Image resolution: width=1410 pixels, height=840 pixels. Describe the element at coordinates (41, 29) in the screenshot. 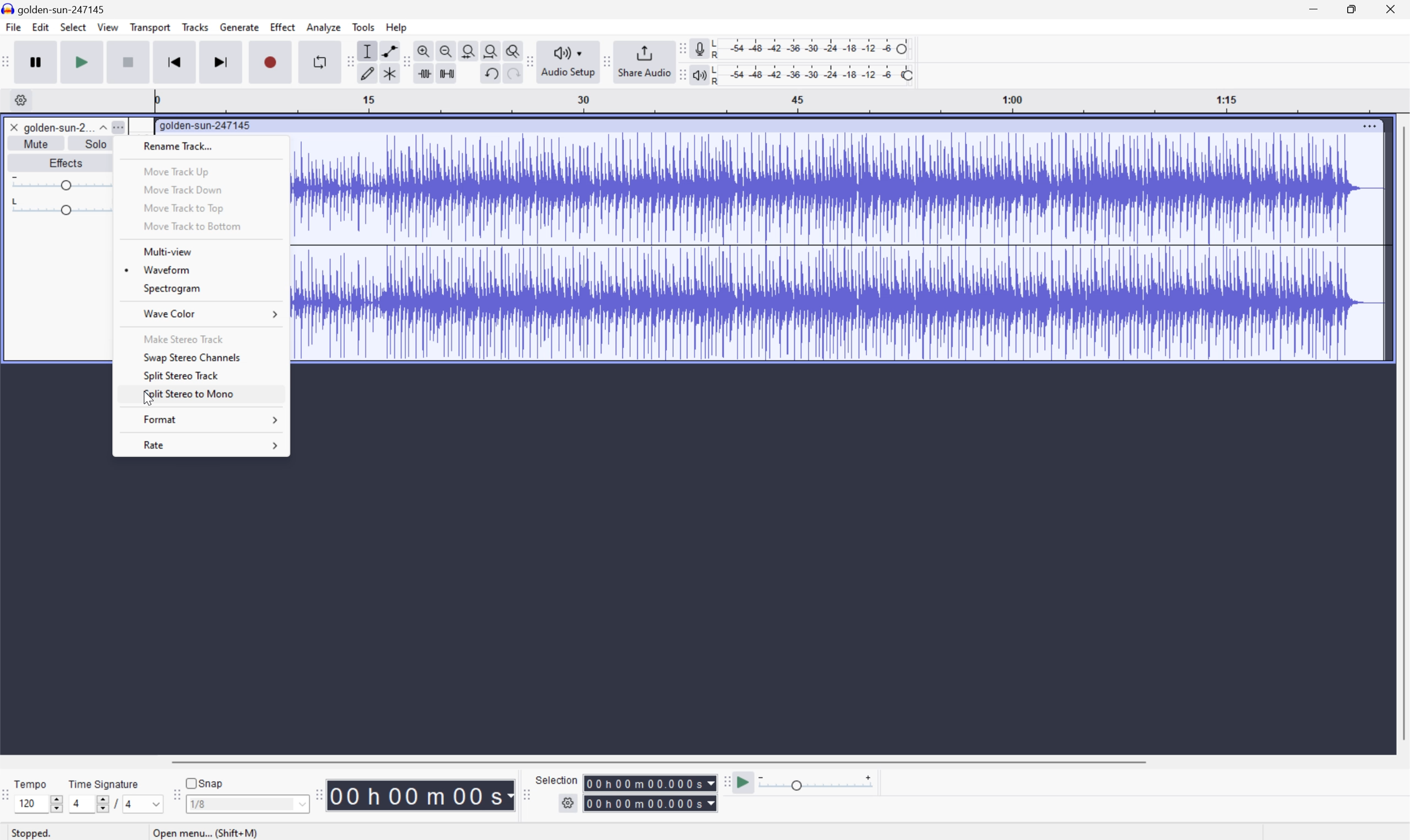

I see `Edit` at that location.